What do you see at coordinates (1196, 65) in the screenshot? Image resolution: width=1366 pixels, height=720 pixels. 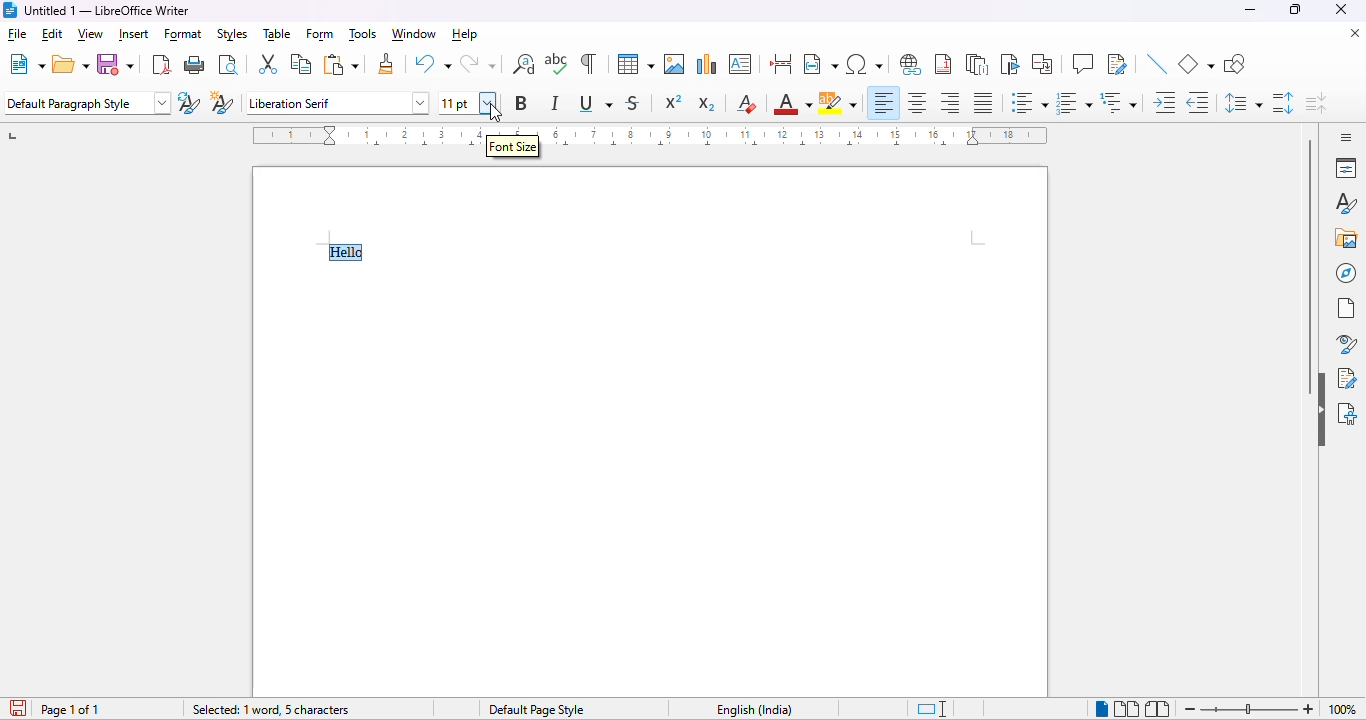 I see `basic shapes` at bounding box center [1196, 65].